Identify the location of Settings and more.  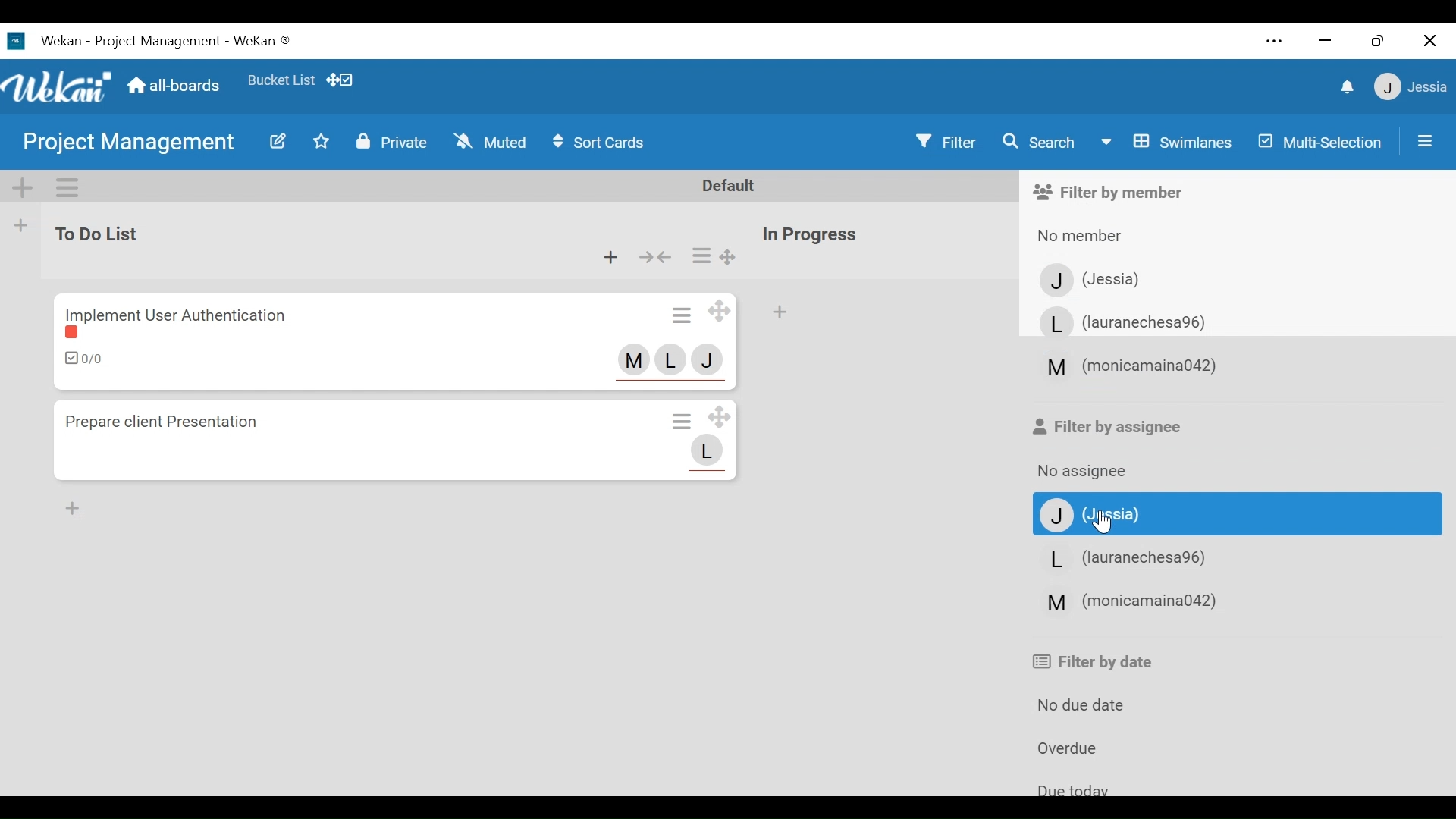
(1273, 42).